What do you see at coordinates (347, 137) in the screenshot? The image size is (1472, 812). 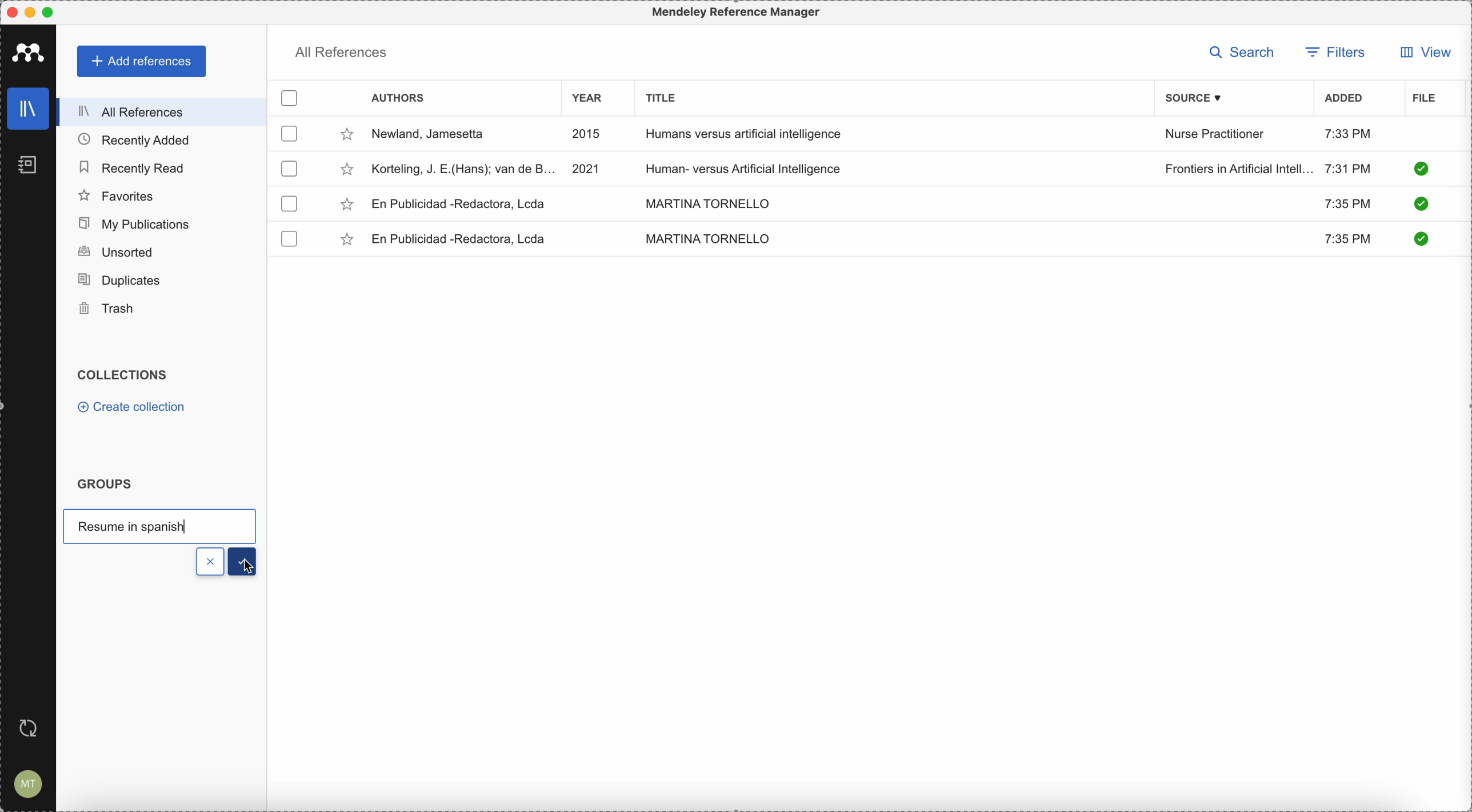 I see `favorite` at bounding box center [347, 137].